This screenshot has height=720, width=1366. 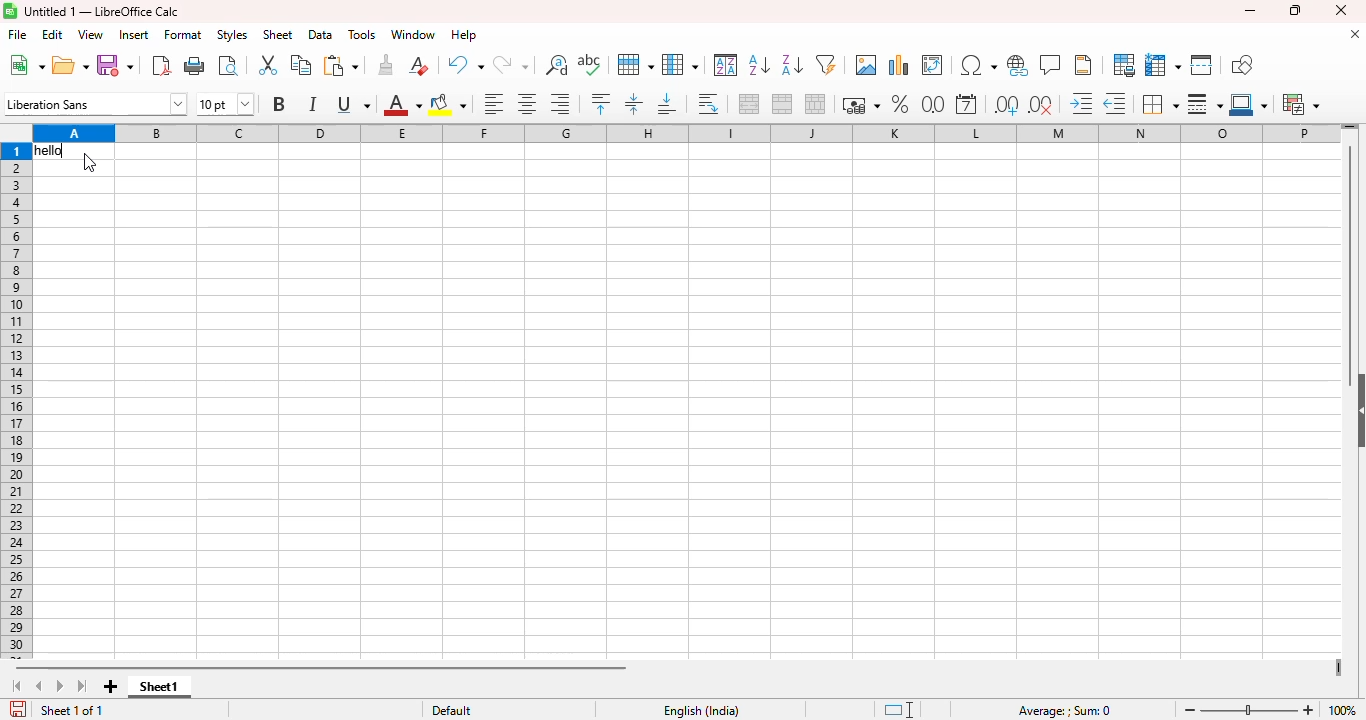 I want to click on unmerge cells, so click(x=815, y=104).